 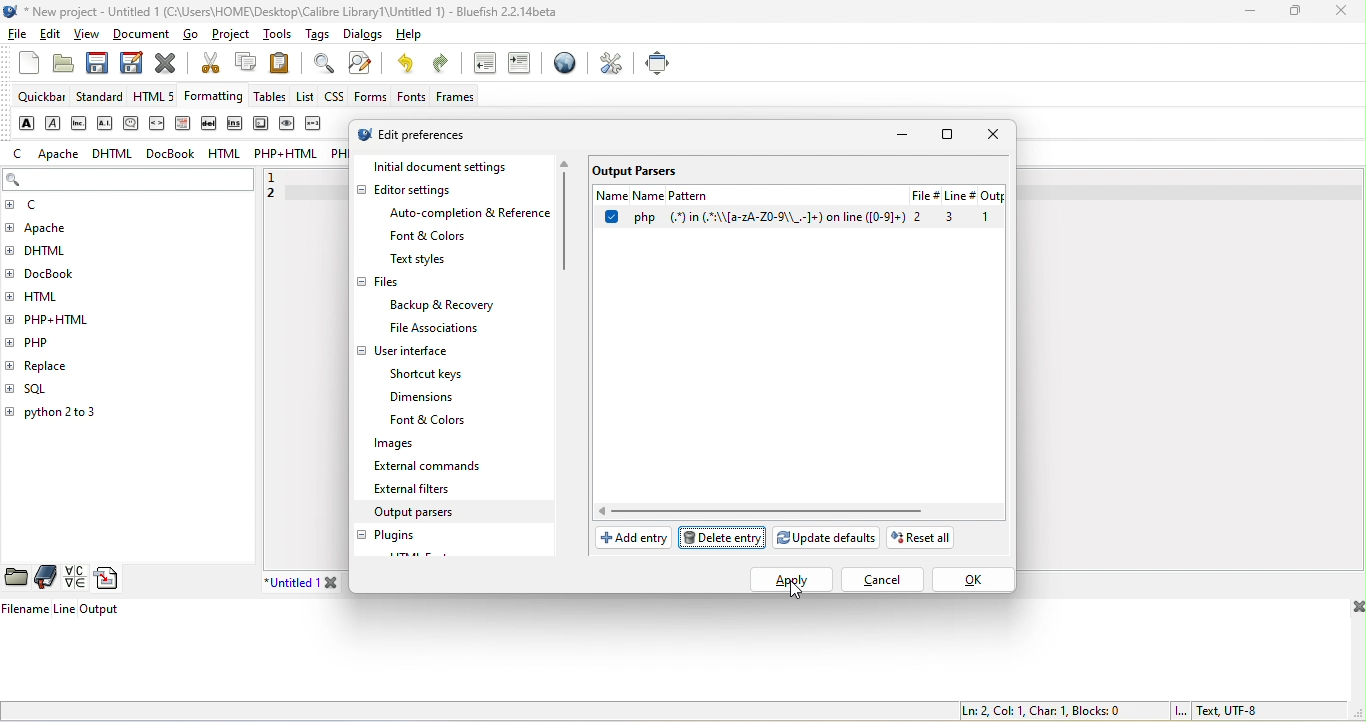 I want to click on sql, so click(x=47, y=389).